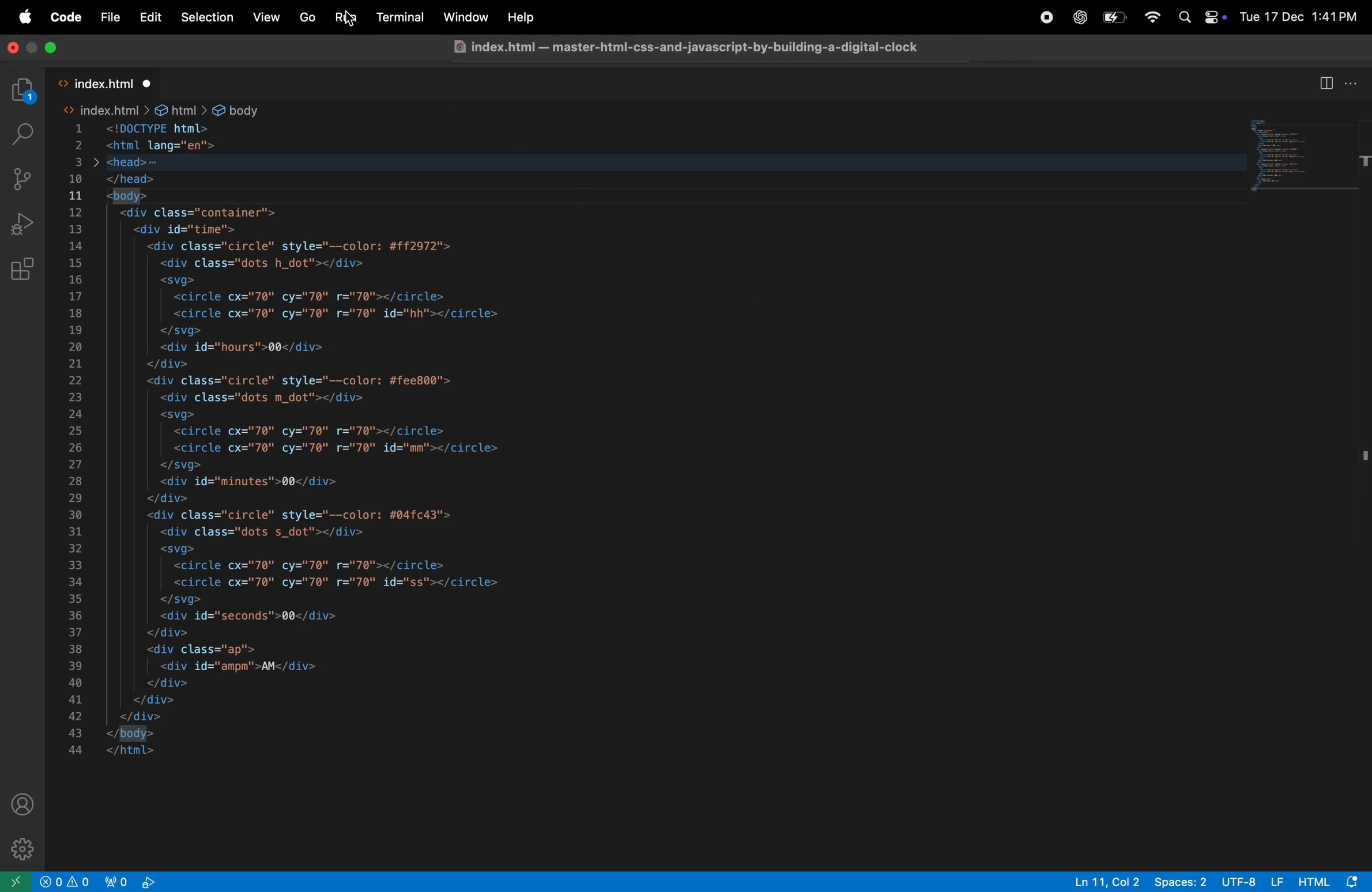 This screenshot has width=1372, height=892. What do you see at coordinates (205, 17) in the screenshot?
I see `Selection` at bounding box center [205, 17].